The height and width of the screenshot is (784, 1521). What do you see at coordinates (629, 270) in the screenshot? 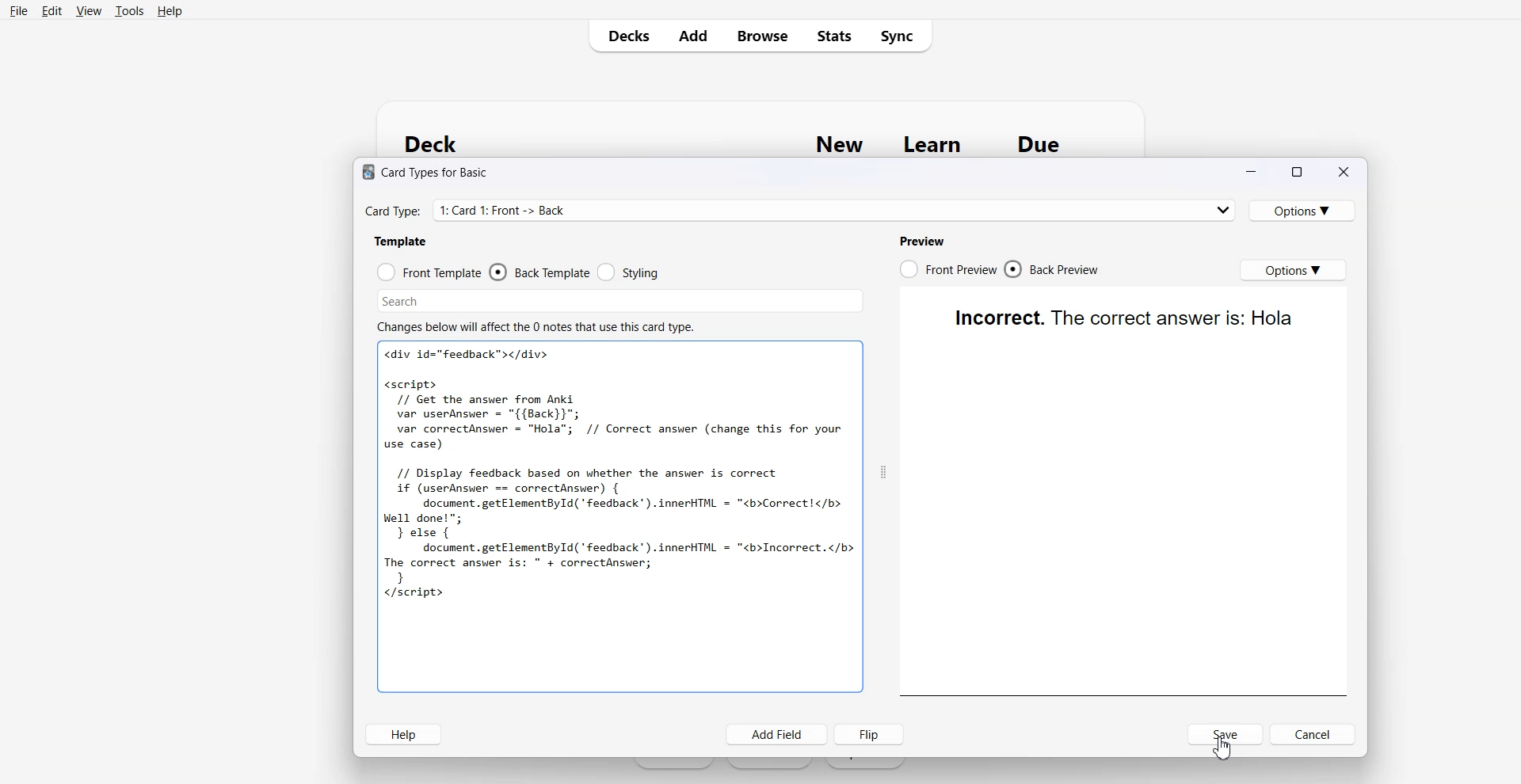
I see `Styling` at bounding box center [629, 270].